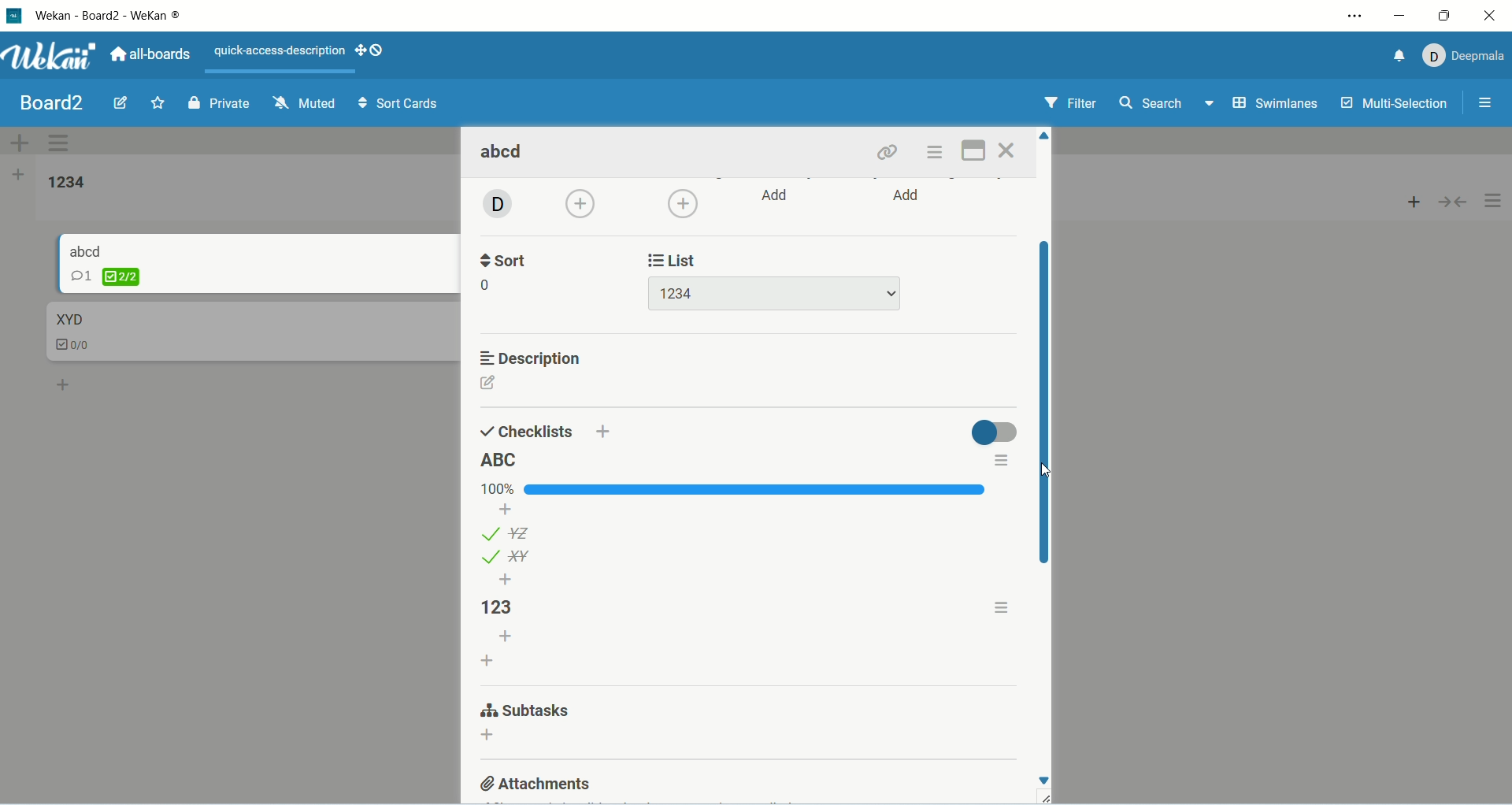  I want to click on add, so click(909, 197).